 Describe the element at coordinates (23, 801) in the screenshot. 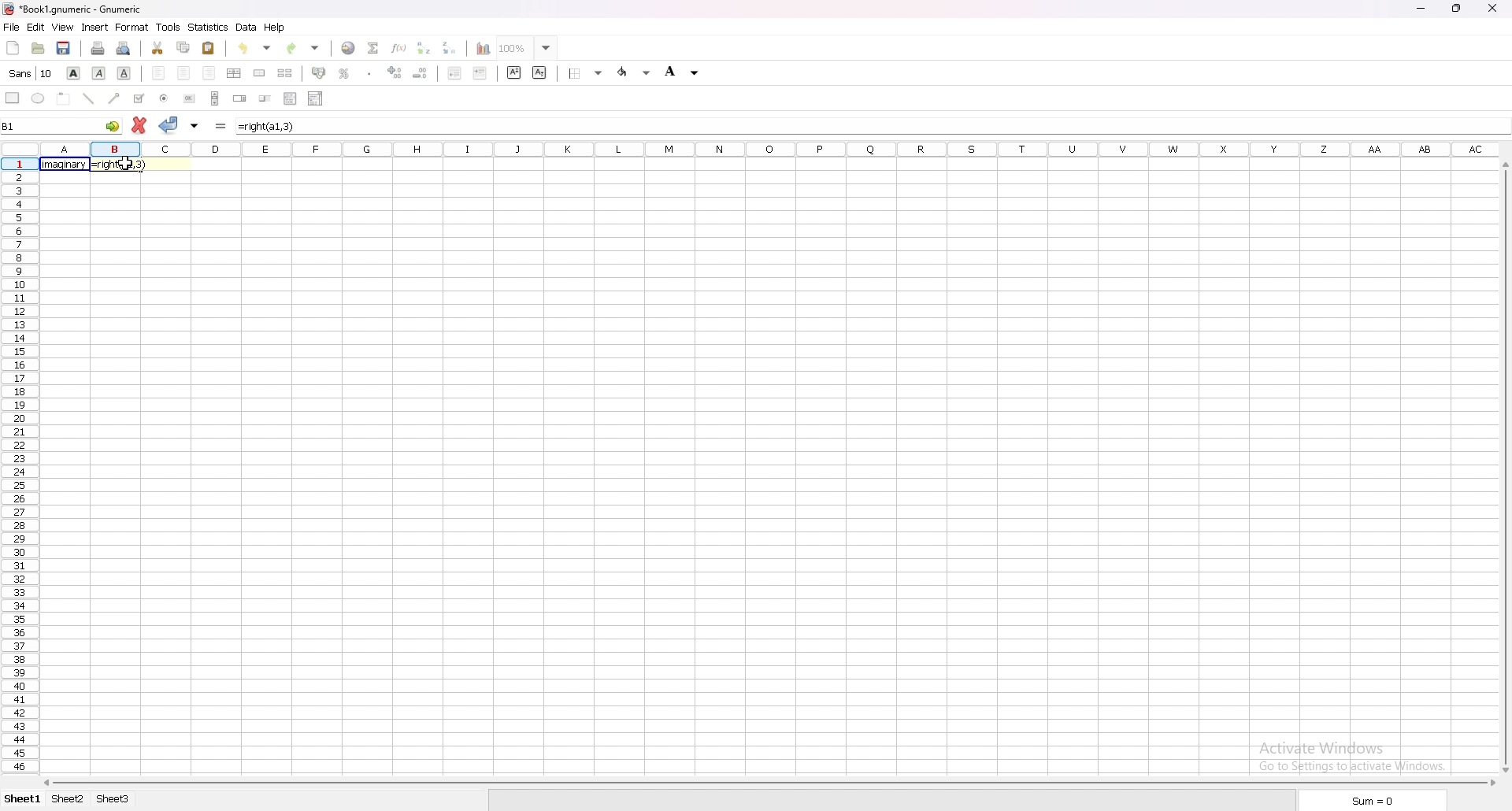

I see `sheet 1` at that location.